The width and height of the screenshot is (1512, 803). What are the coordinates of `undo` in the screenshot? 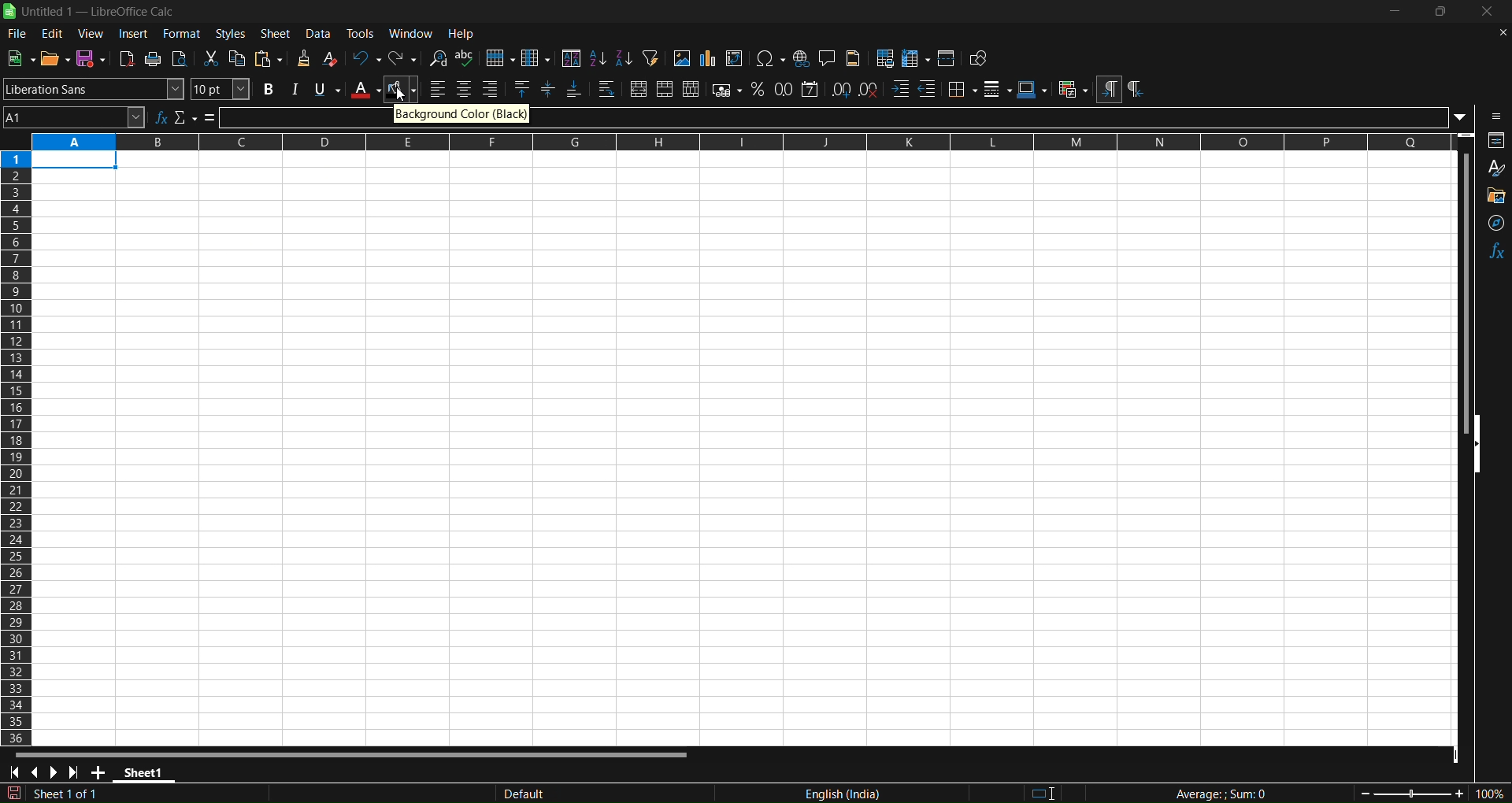 It's located at (365, 57).